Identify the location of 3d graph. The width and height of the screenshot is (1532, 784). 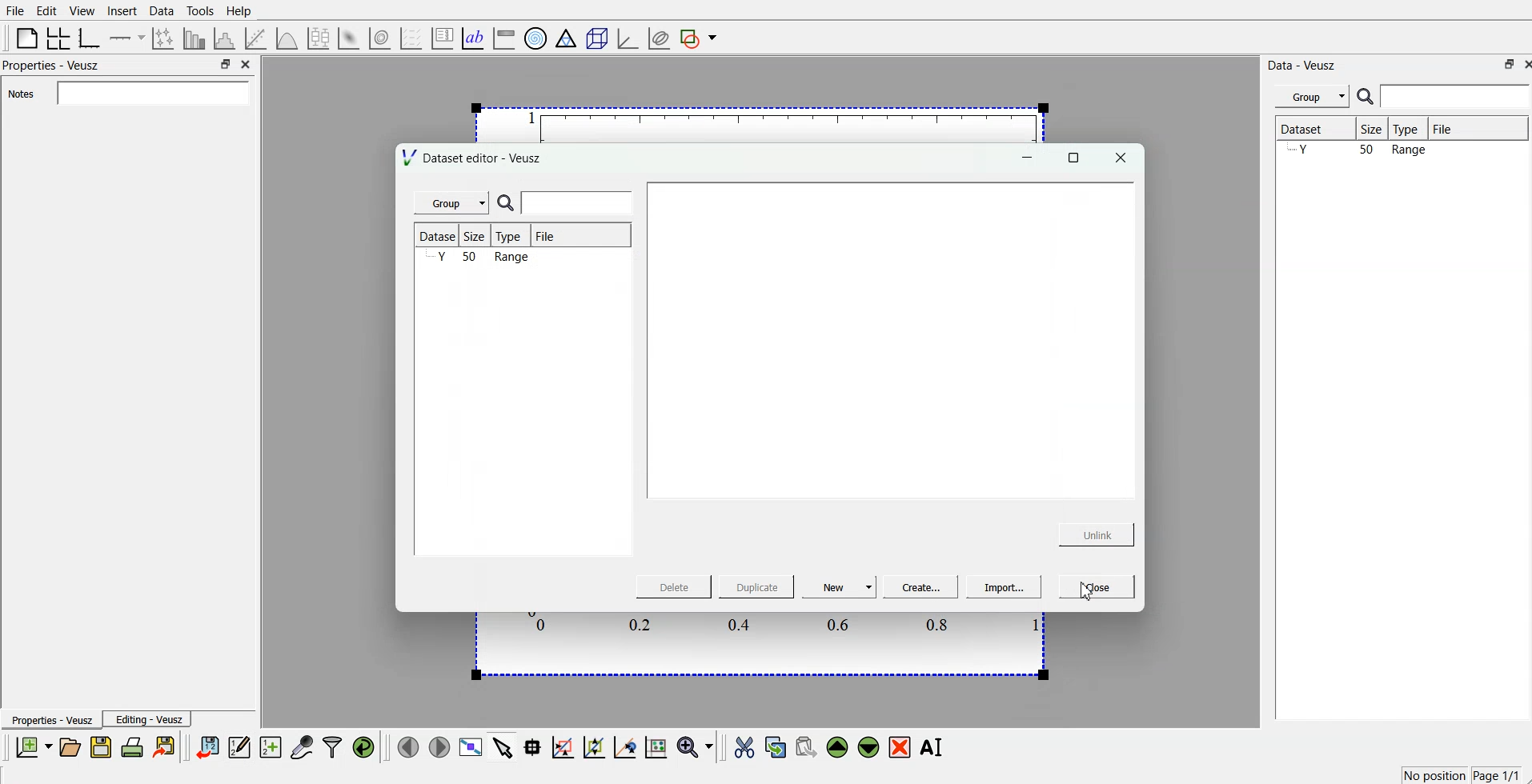
(627, 35).